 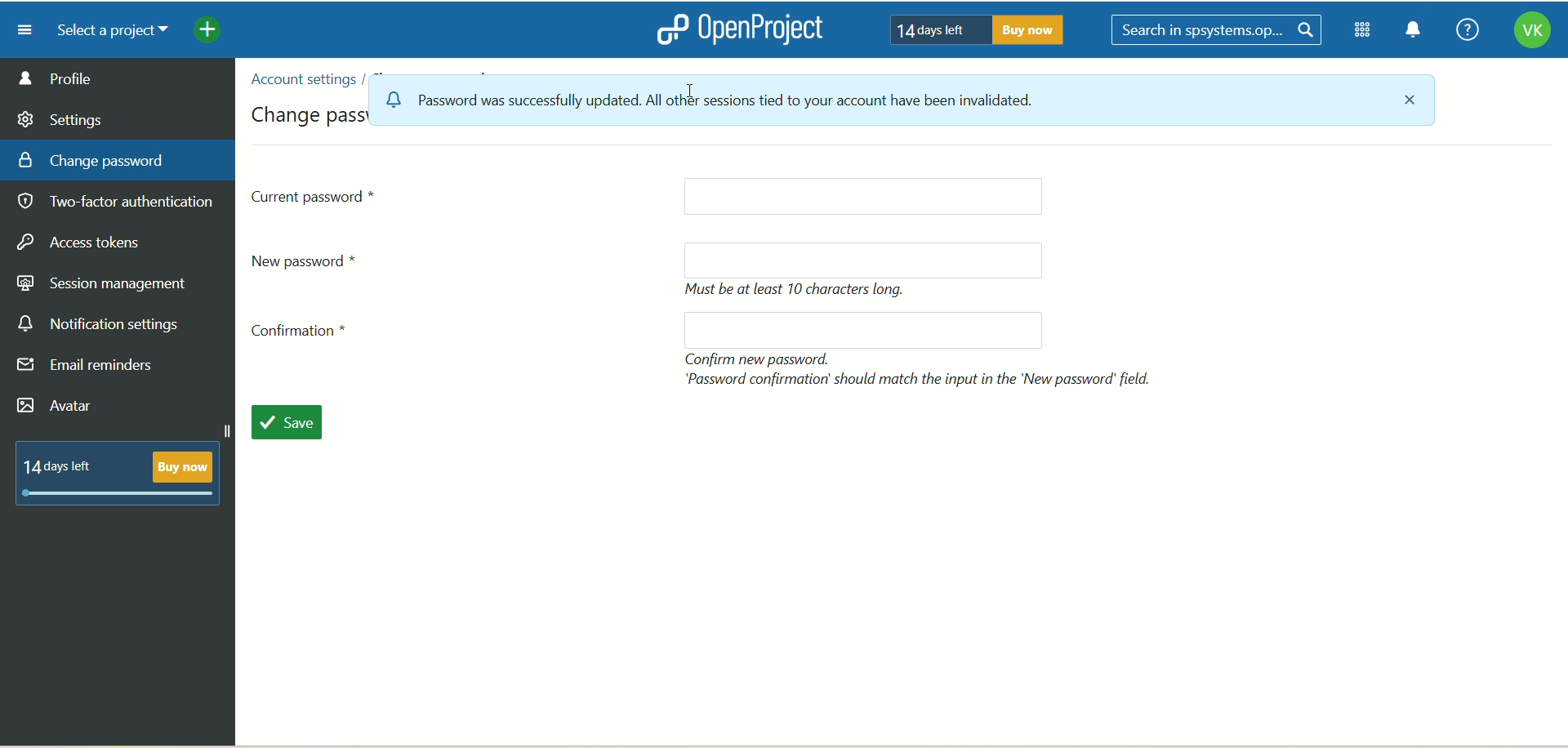 What do you see at coordinates (1531, 33) in the screenshot?
I see `account` at bounding box center [1531, 33].